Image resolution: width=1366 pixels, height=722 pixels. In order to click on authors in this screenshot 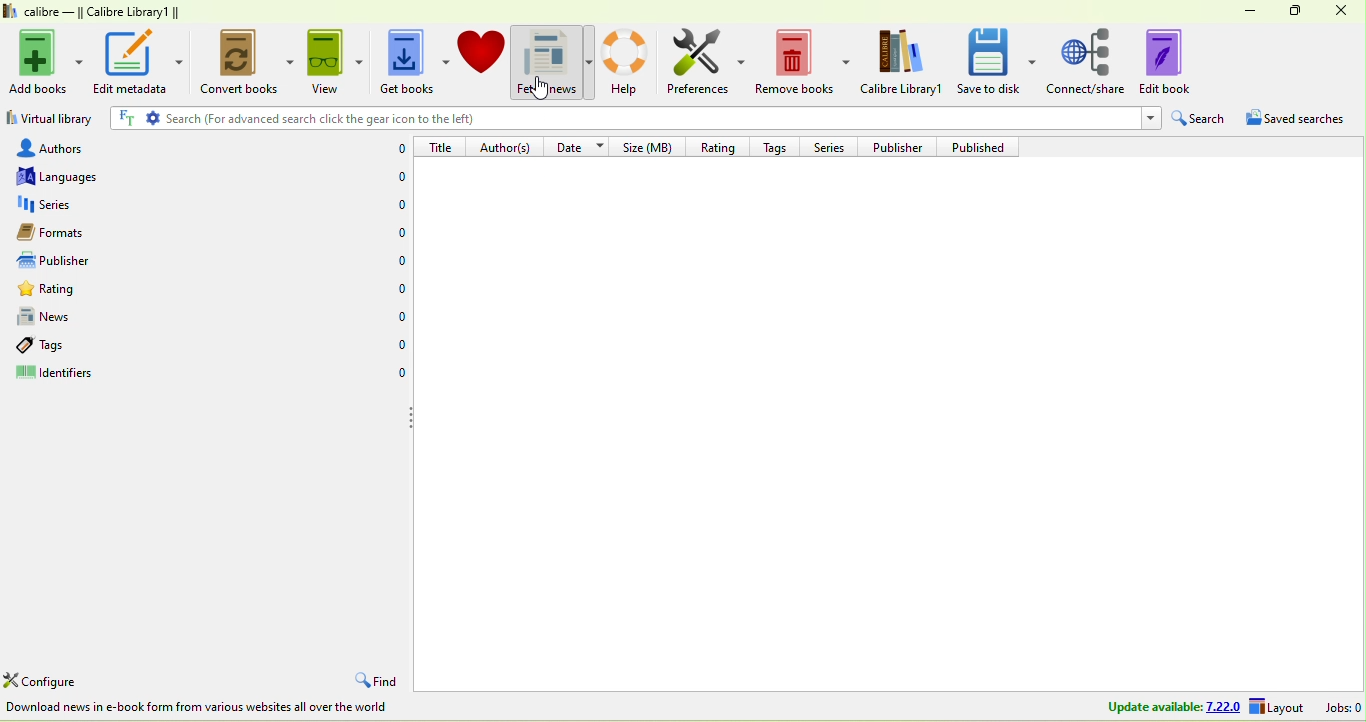, I will do `click(508, 146)`.